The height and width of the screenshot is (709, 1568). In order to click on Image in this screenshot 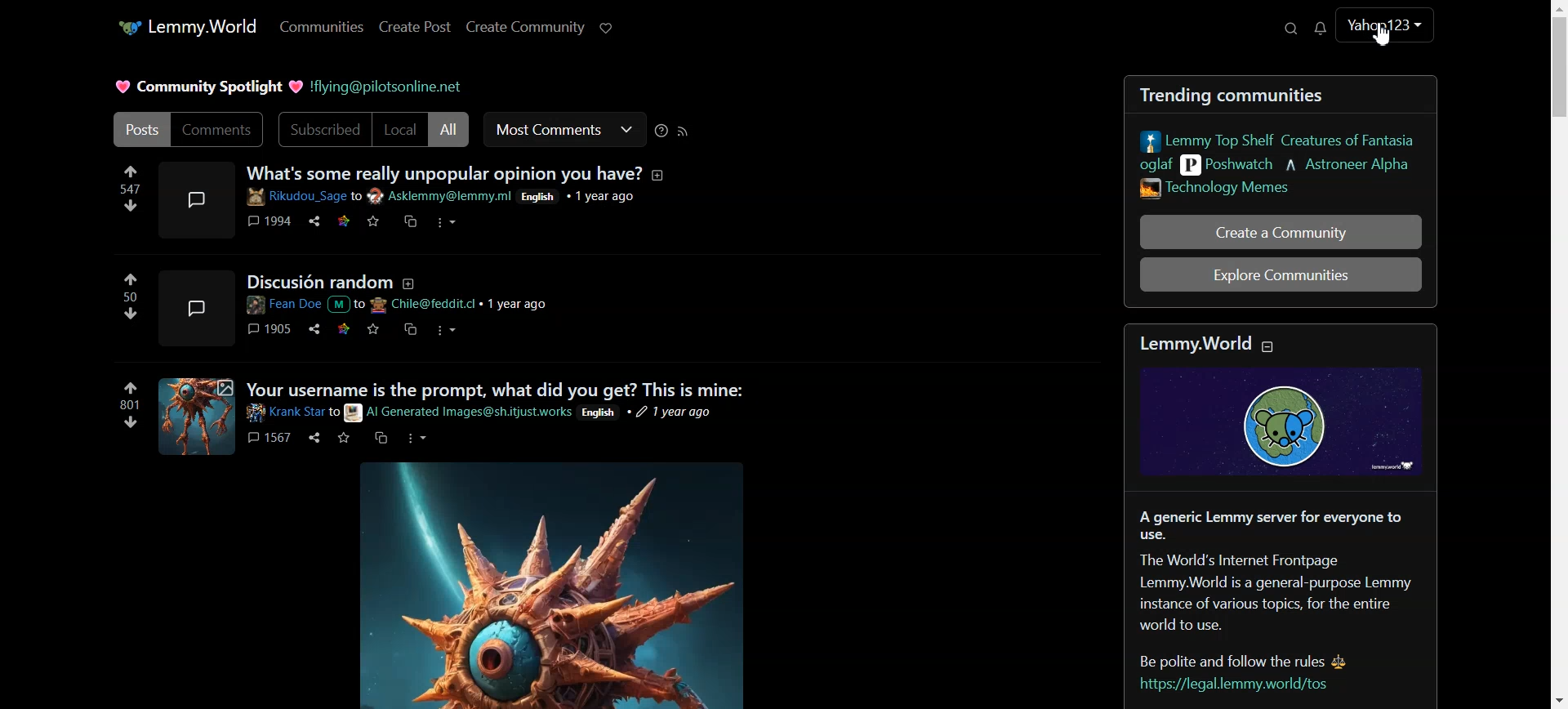, I will do `click(554, 589)`.